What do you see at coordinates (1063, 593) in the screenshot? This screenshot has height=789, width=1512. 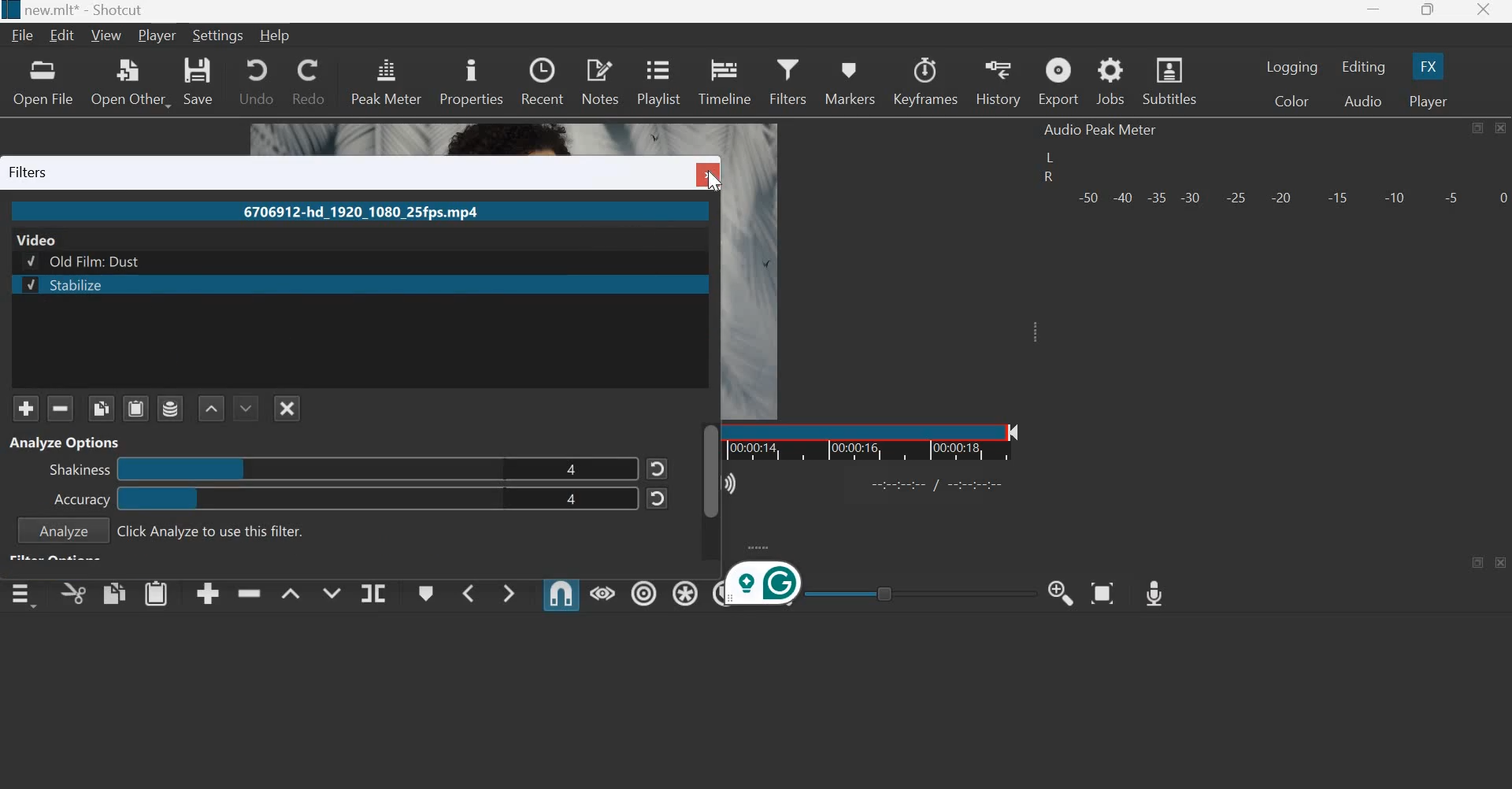 I see `Zoom Timeline in` at bounding box center [1063, 593].